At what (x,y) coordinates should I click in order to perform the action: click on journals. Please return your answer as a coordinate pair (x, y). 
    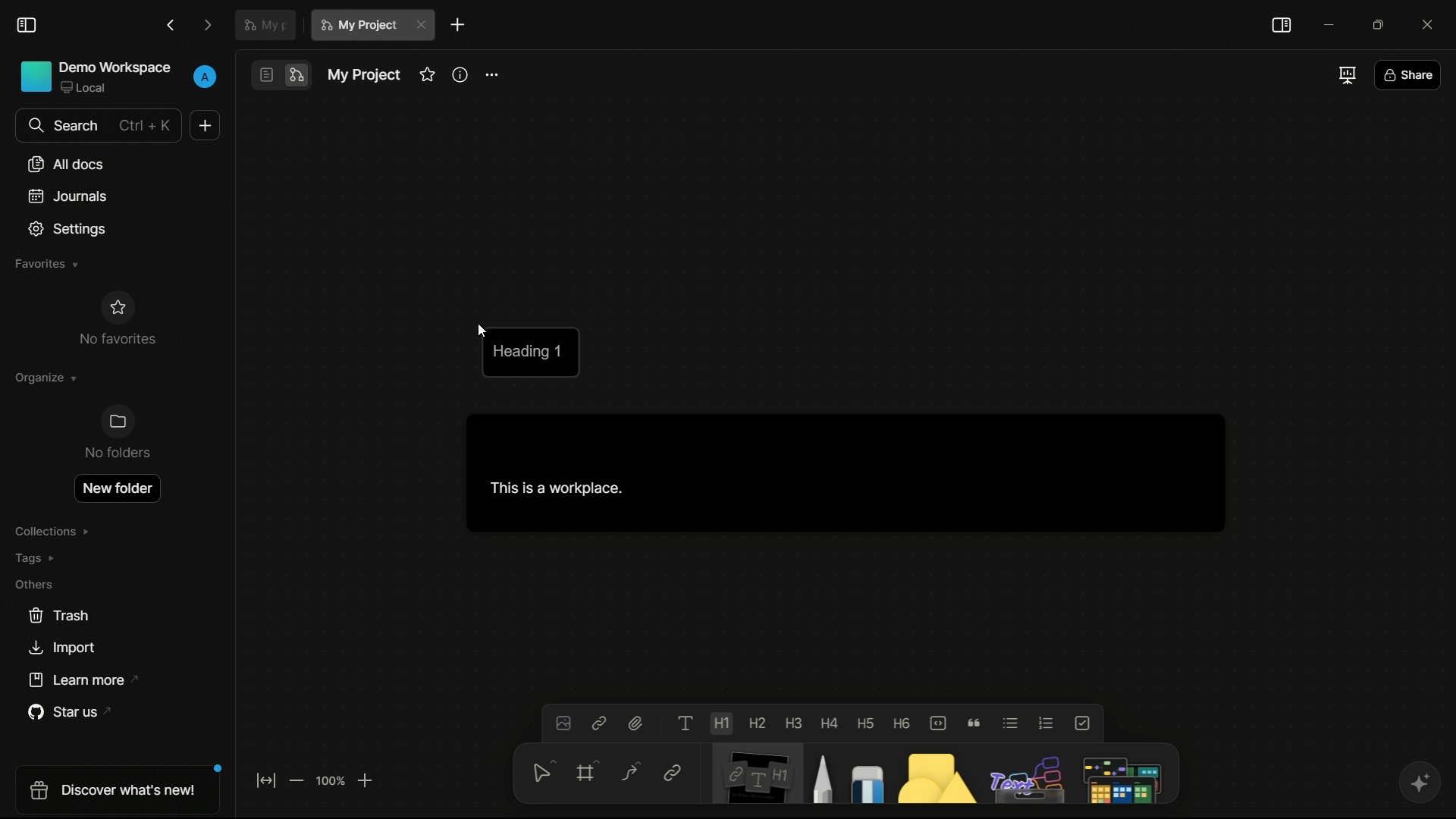
    Looking at the image, I should click on (72, 196).